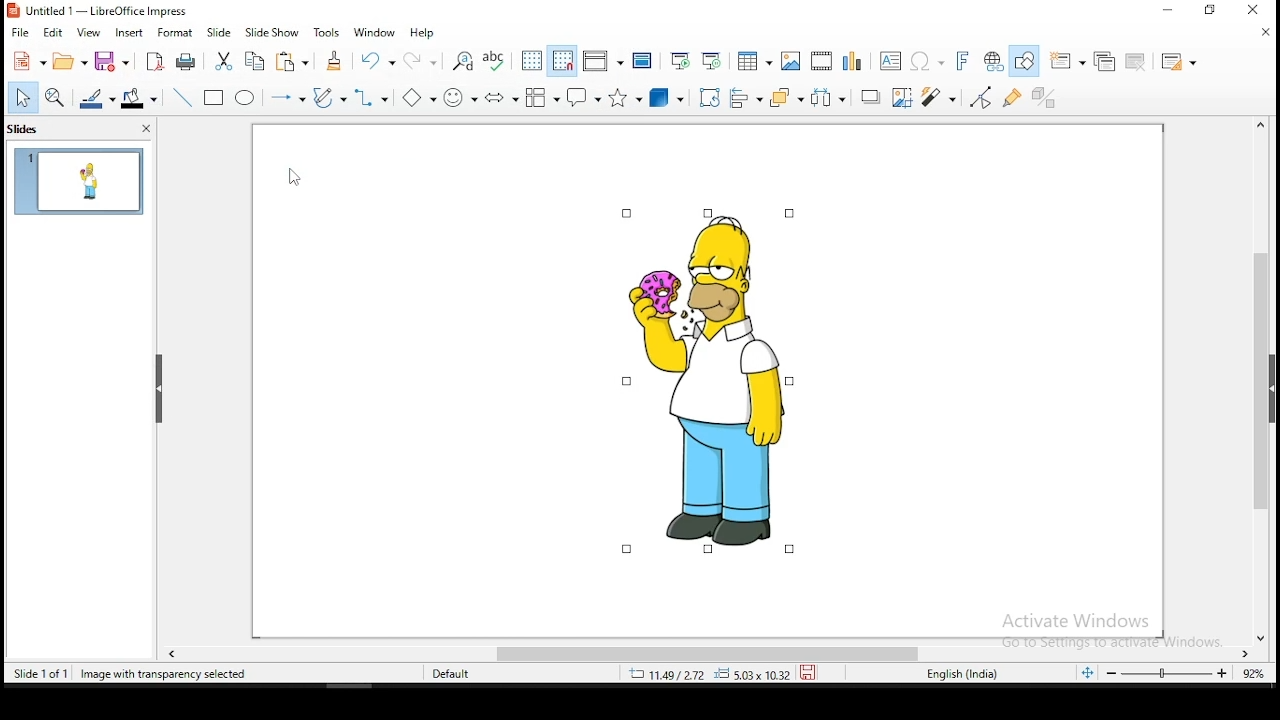 Image resolution: width=1280 pixels, height=720 pixels. Describe the element at coordinates (711, 654) in the screenshot. I see `scroll bar` at that location.